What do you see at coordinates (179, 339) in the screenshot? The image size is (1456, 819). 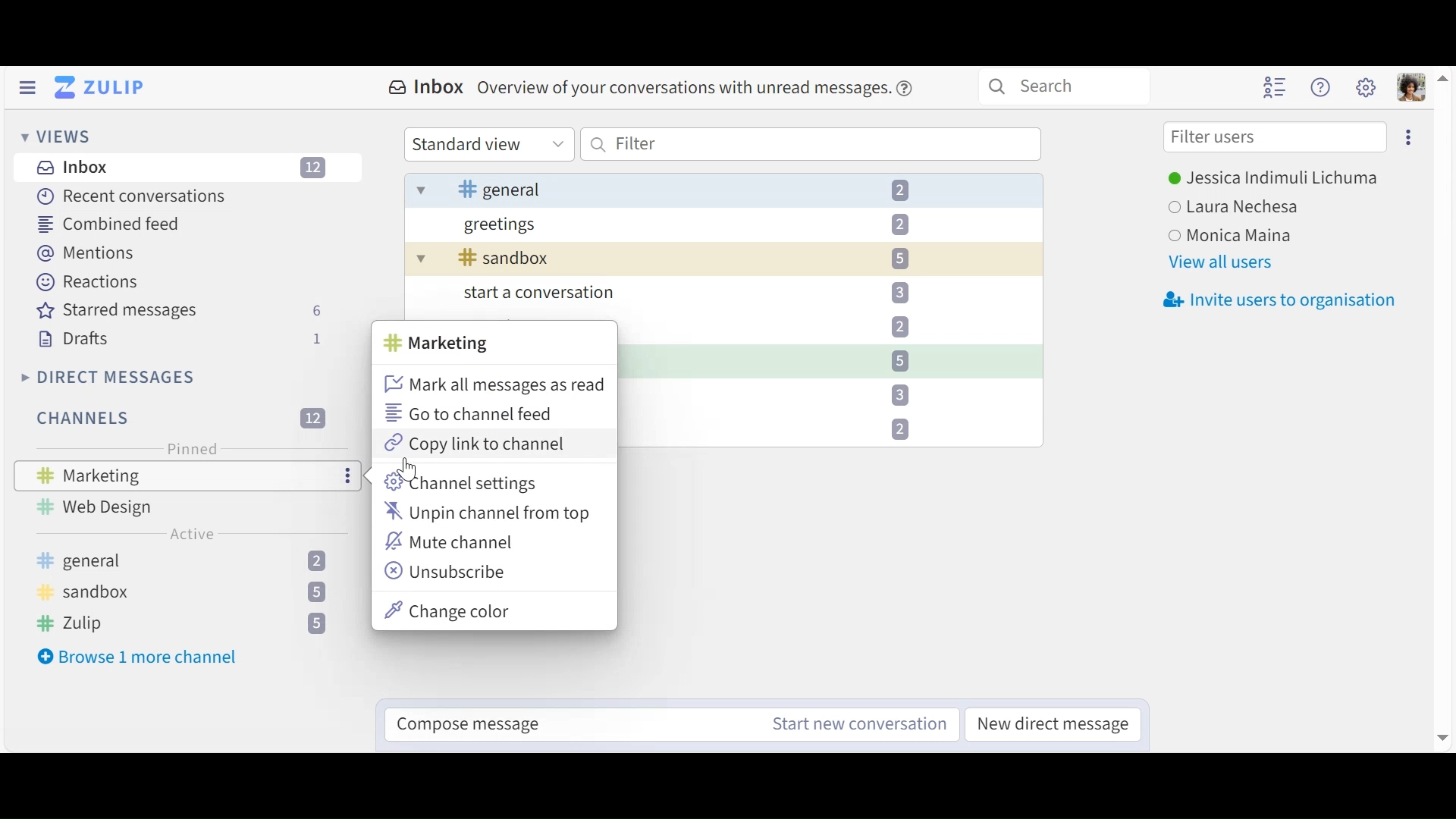 I see `Drafts` at bounding box center [179, 339].